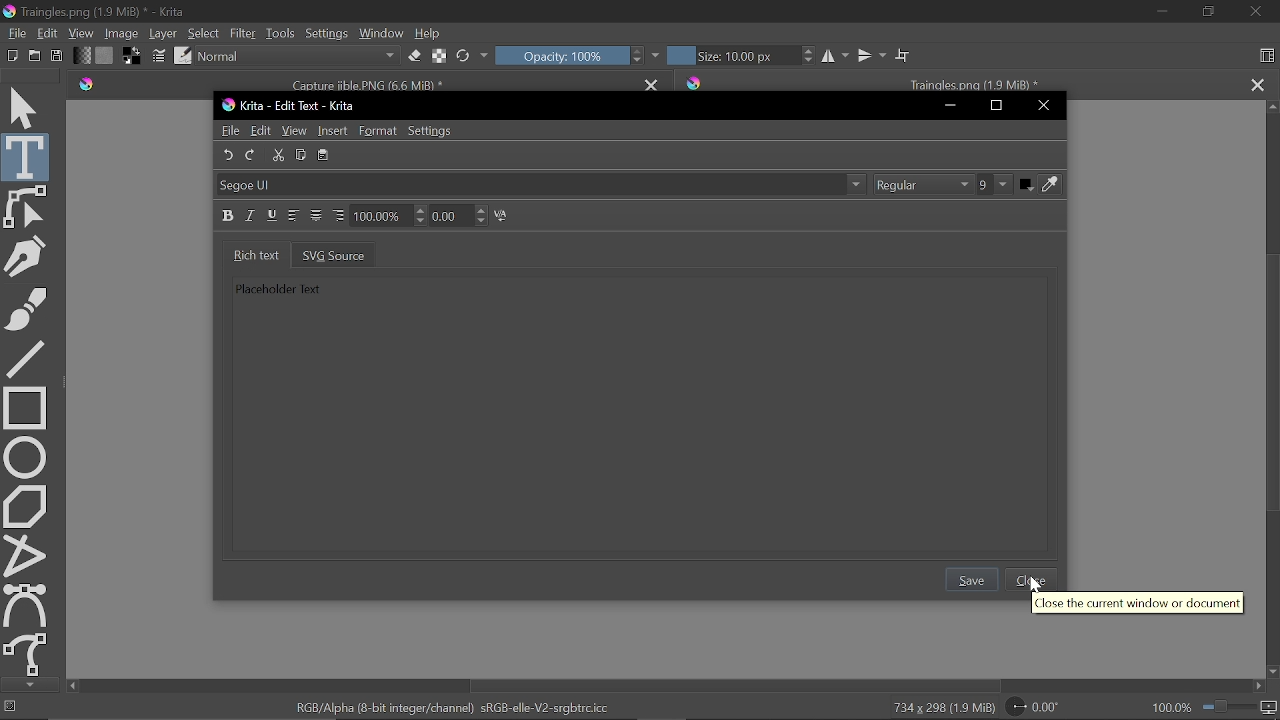 The height and width of the screenshot is (720, 1280). Describe the element at coordinates (1035, 580) in the screenshot. I see `Close` at that location.